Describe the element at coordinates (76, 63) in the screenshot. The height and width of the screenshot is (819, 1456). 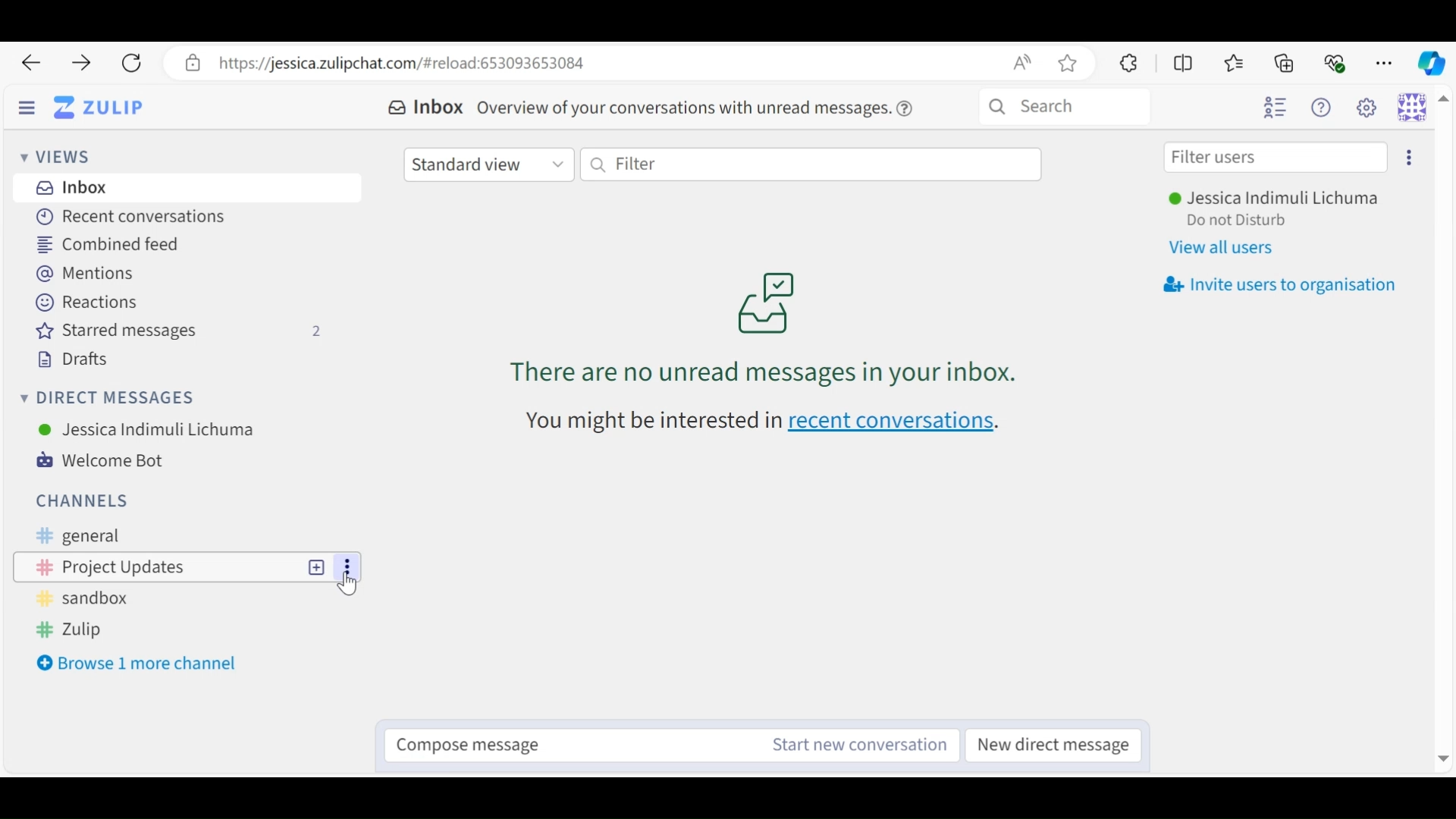
I see `Go Forward` at that location.